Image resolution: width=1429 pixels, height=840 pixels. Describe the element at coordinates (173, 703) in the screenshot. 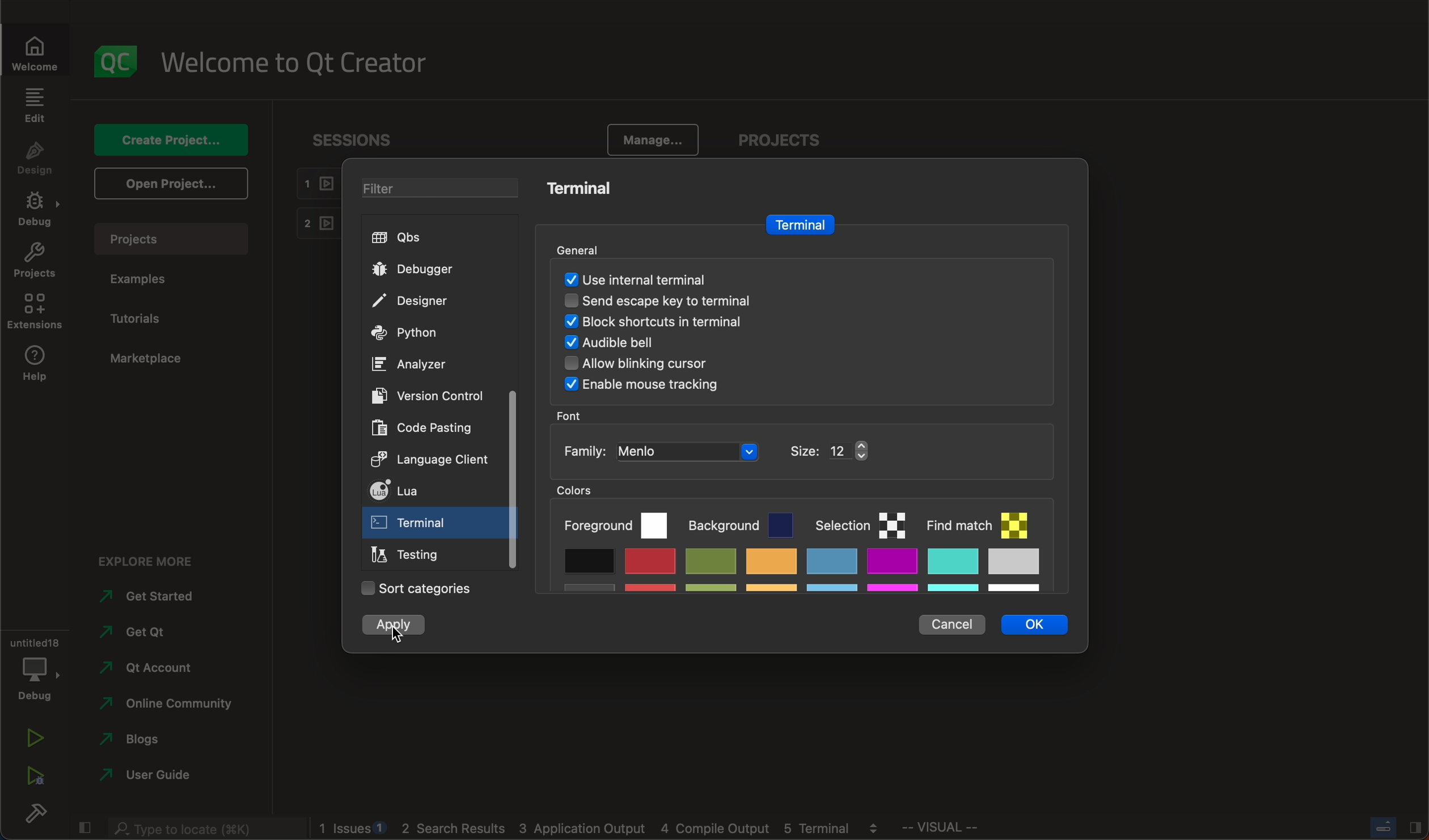

I see `community` at that location.